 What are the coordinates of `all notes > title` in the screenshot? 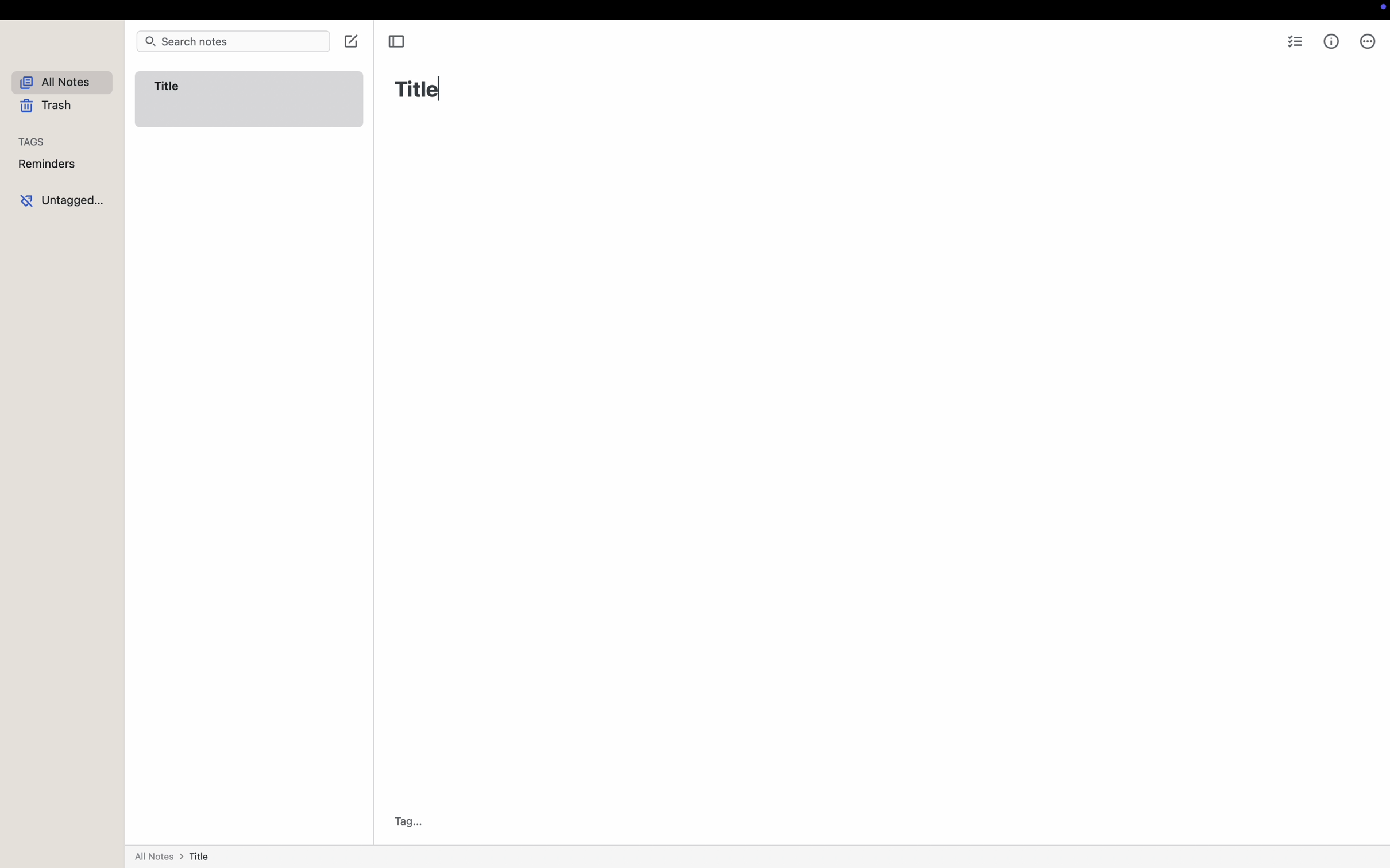 It's located at (176, 857).